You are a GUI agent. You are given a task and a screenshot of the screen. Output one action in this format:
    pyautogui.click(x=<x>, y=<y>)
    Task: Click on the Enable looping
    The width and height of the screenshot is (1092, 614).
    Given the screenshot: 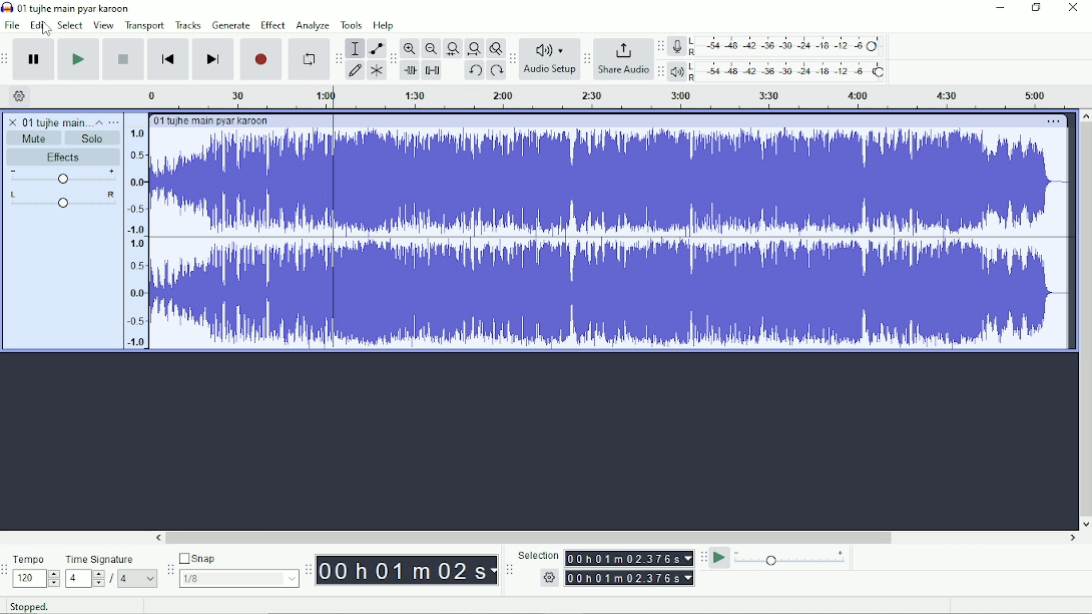 What is the action you would take?
    pyautogui.click(x=309, y=58)
    